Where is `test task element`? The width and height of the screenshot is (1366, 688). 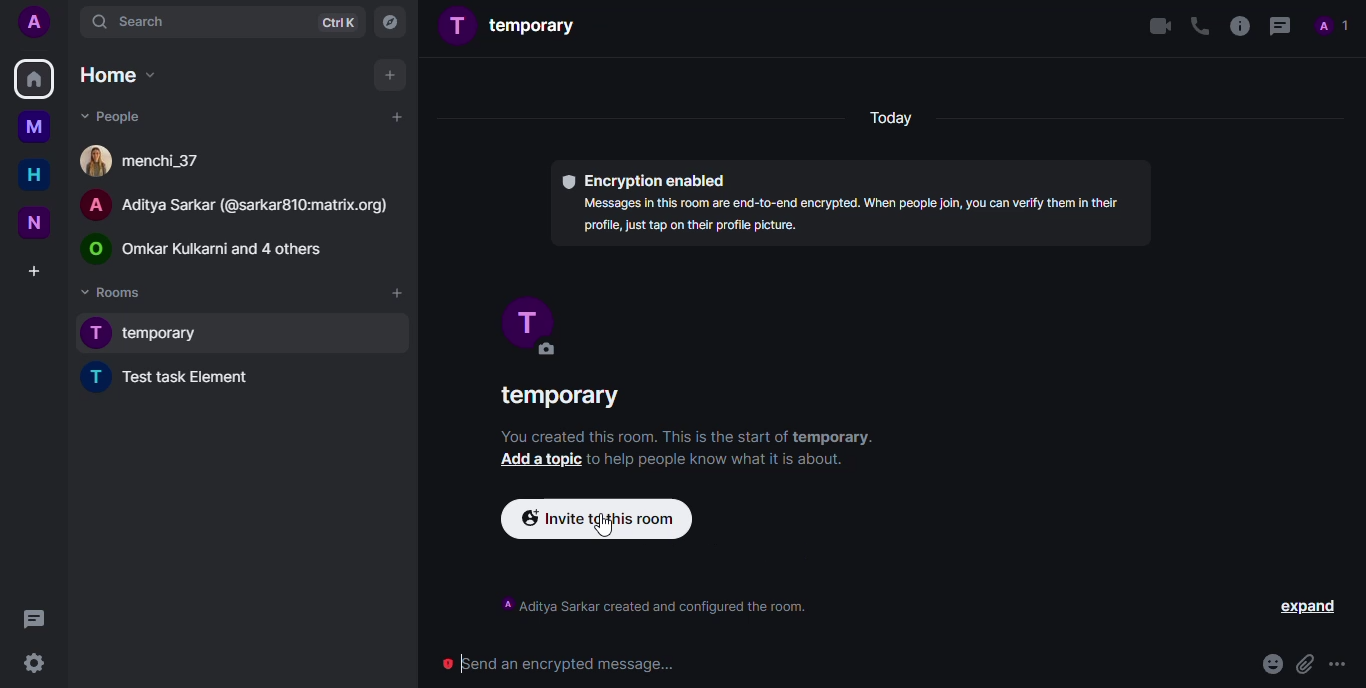
test task element is located at coordinates (181, 381).